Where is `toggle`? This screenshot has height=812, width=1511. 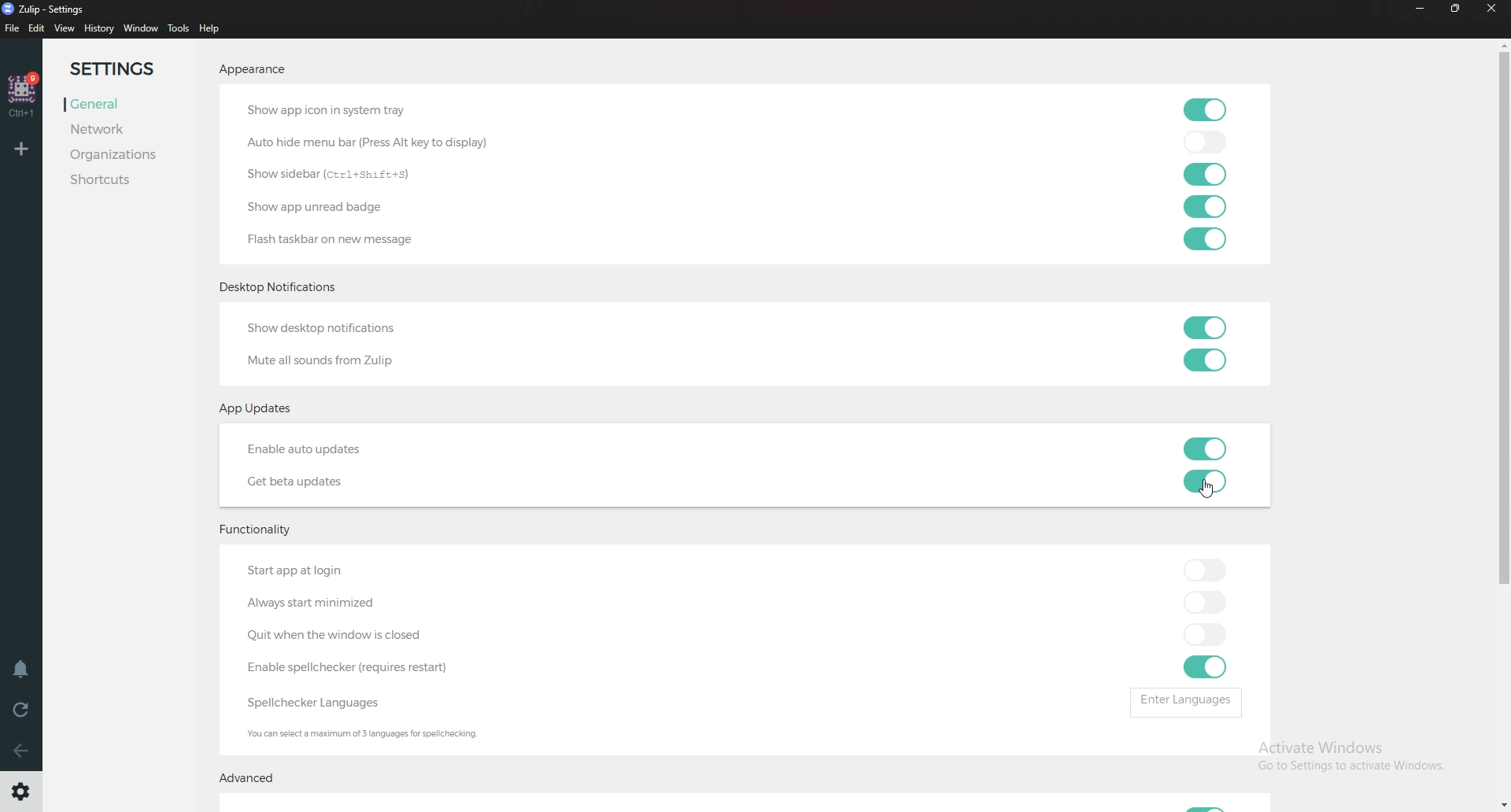
toggle is located at coordinates (1205, 634).